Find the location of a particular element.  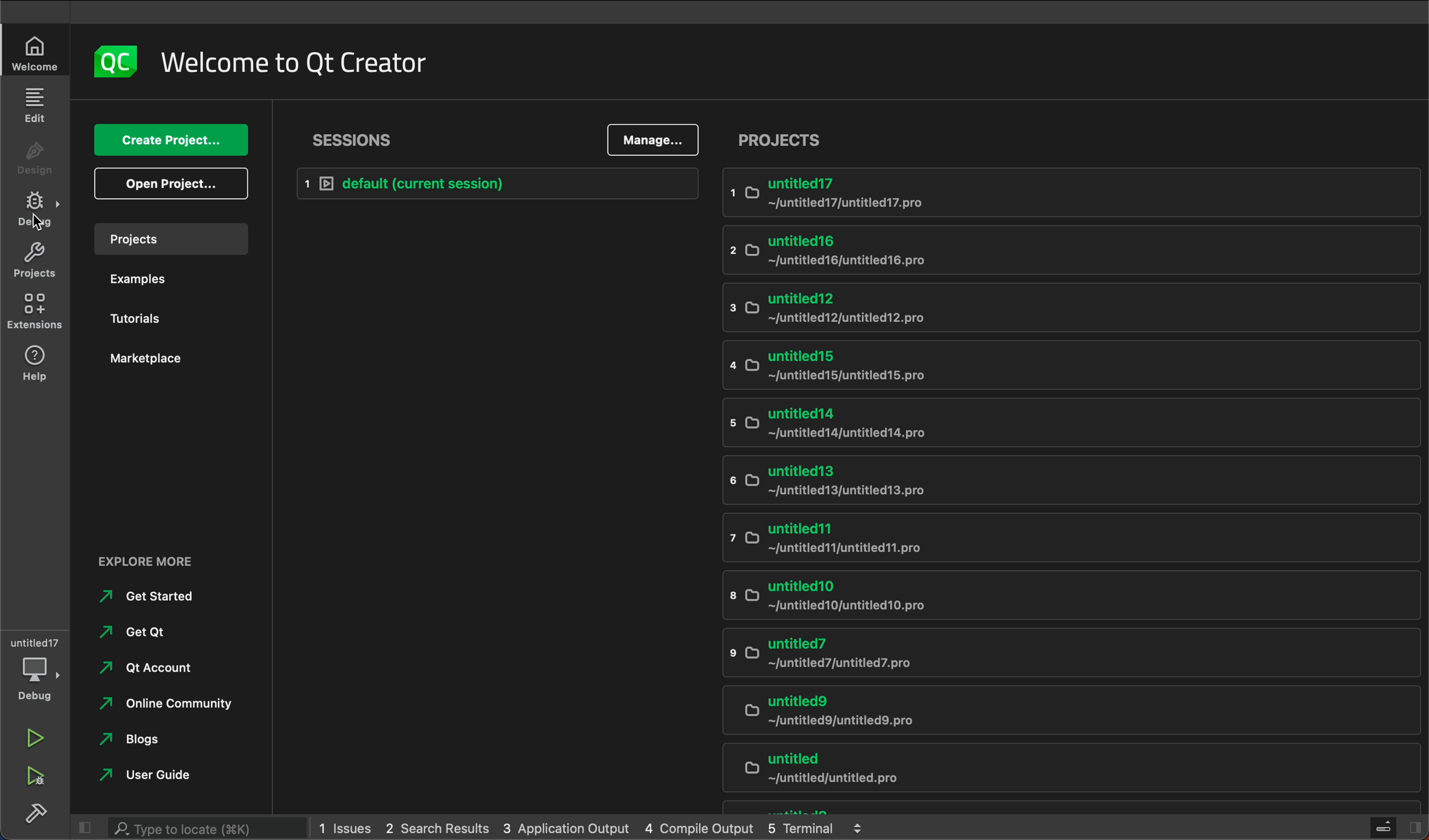

build is located at coordinates (36, 816).